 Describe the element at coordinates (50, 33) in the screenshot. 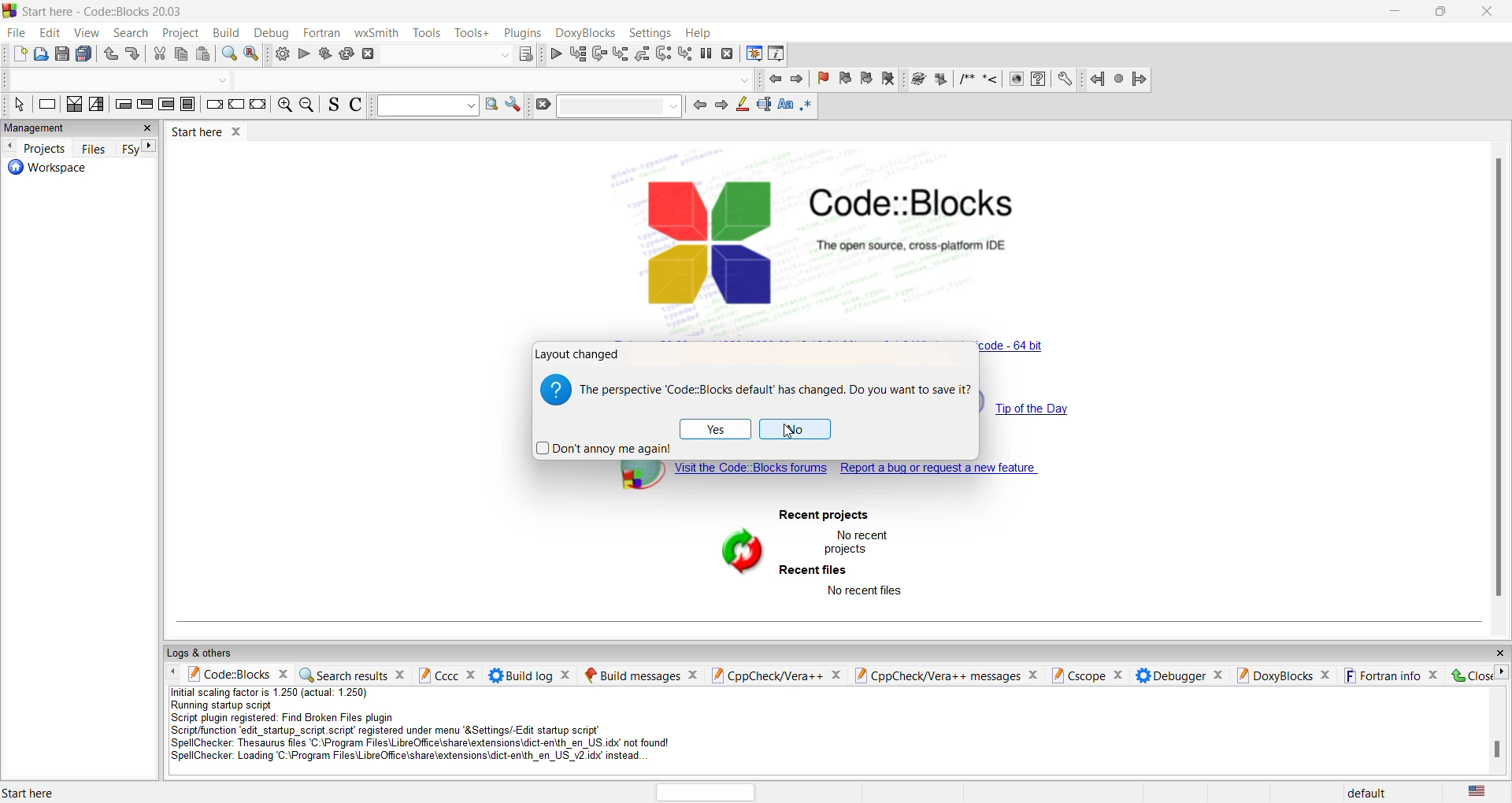

I see `edit` at that location.